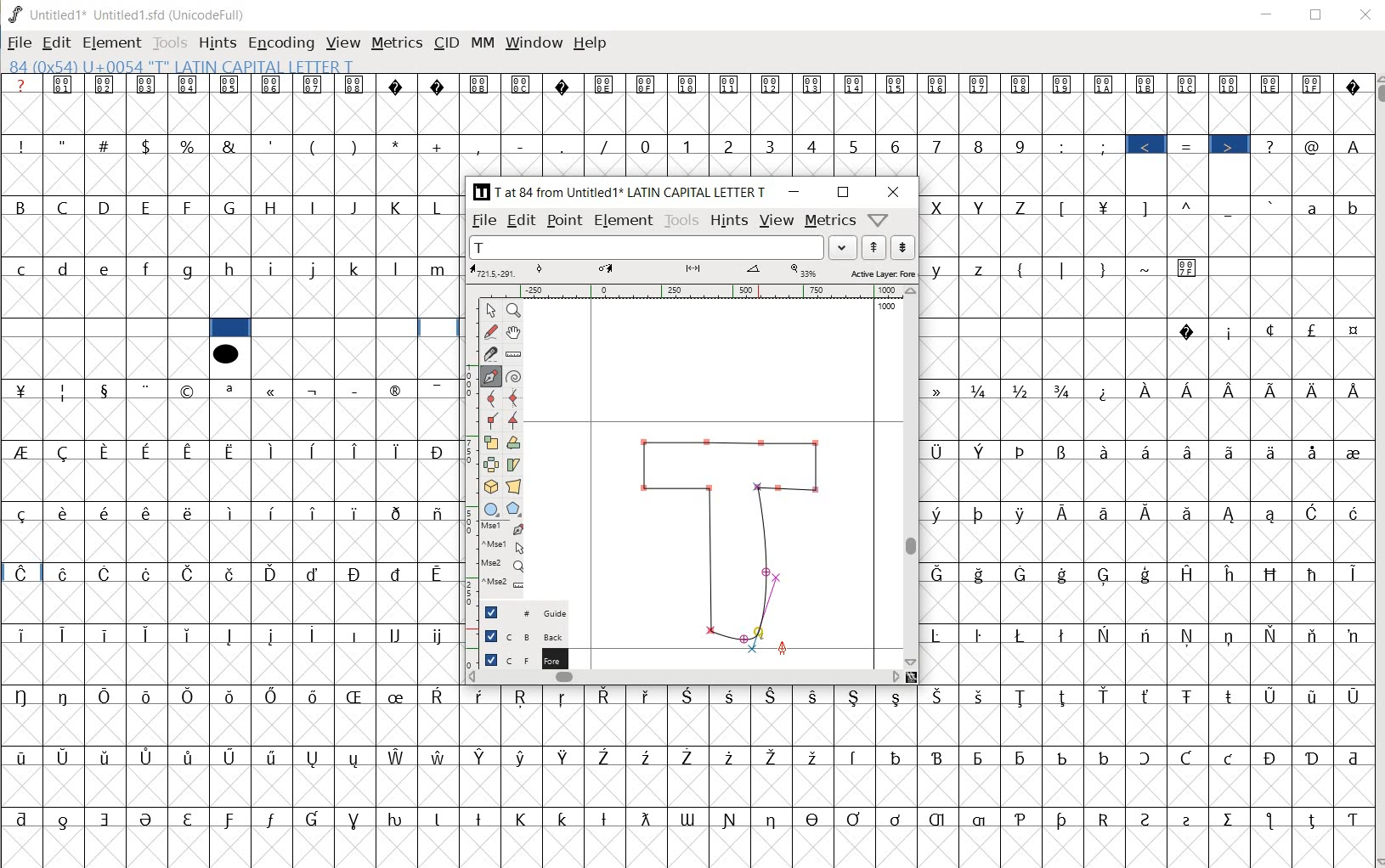 The width and height of the screenshot is (1385, 868). Describe the element at coordinates (438, 512) in the screenshot. I see `Symbol` at that location.